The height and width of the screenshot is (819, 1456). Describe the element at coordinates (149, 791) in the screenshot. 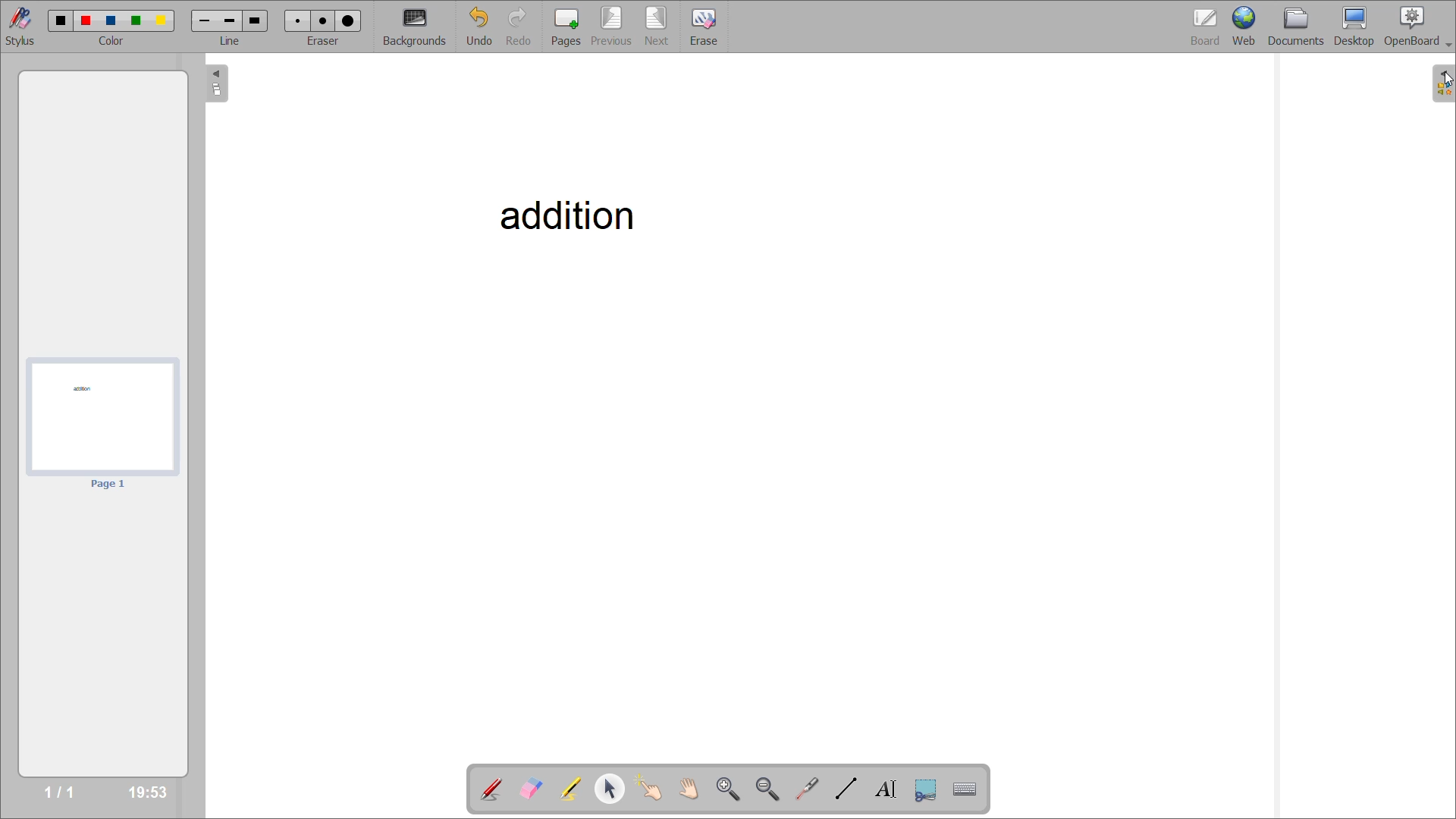

I see `19:53` at that location.